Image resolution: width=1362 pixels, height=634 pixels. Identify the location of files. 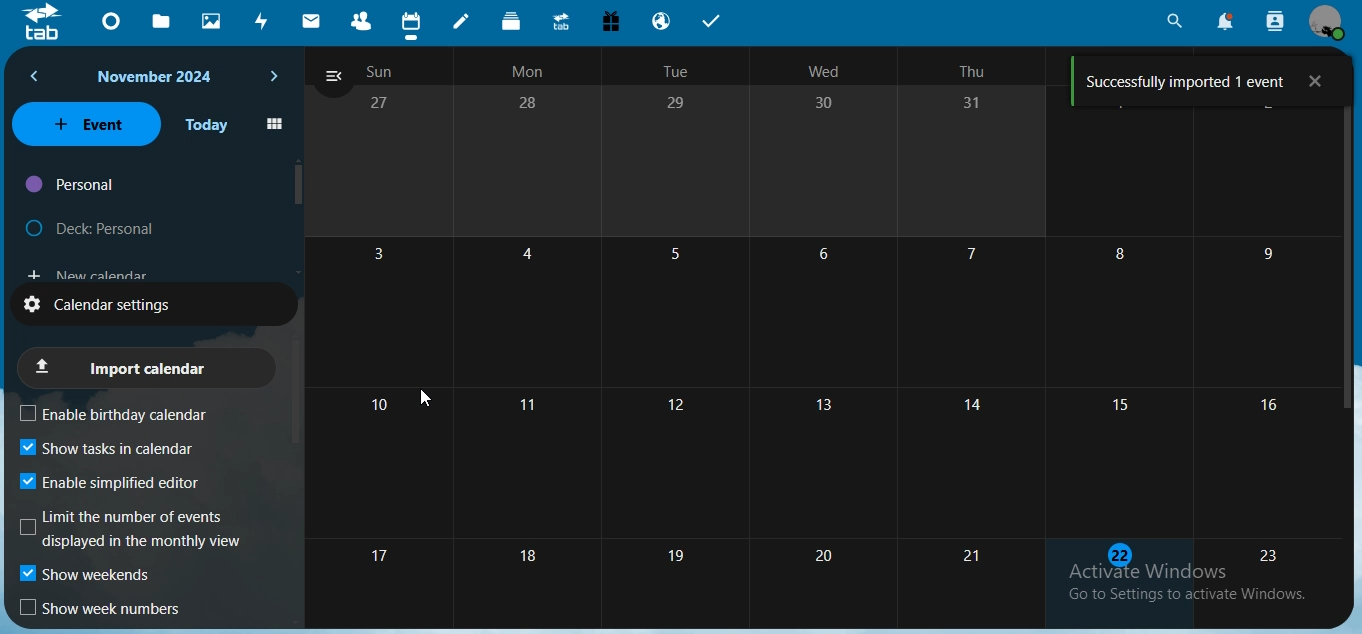
(166, 22).